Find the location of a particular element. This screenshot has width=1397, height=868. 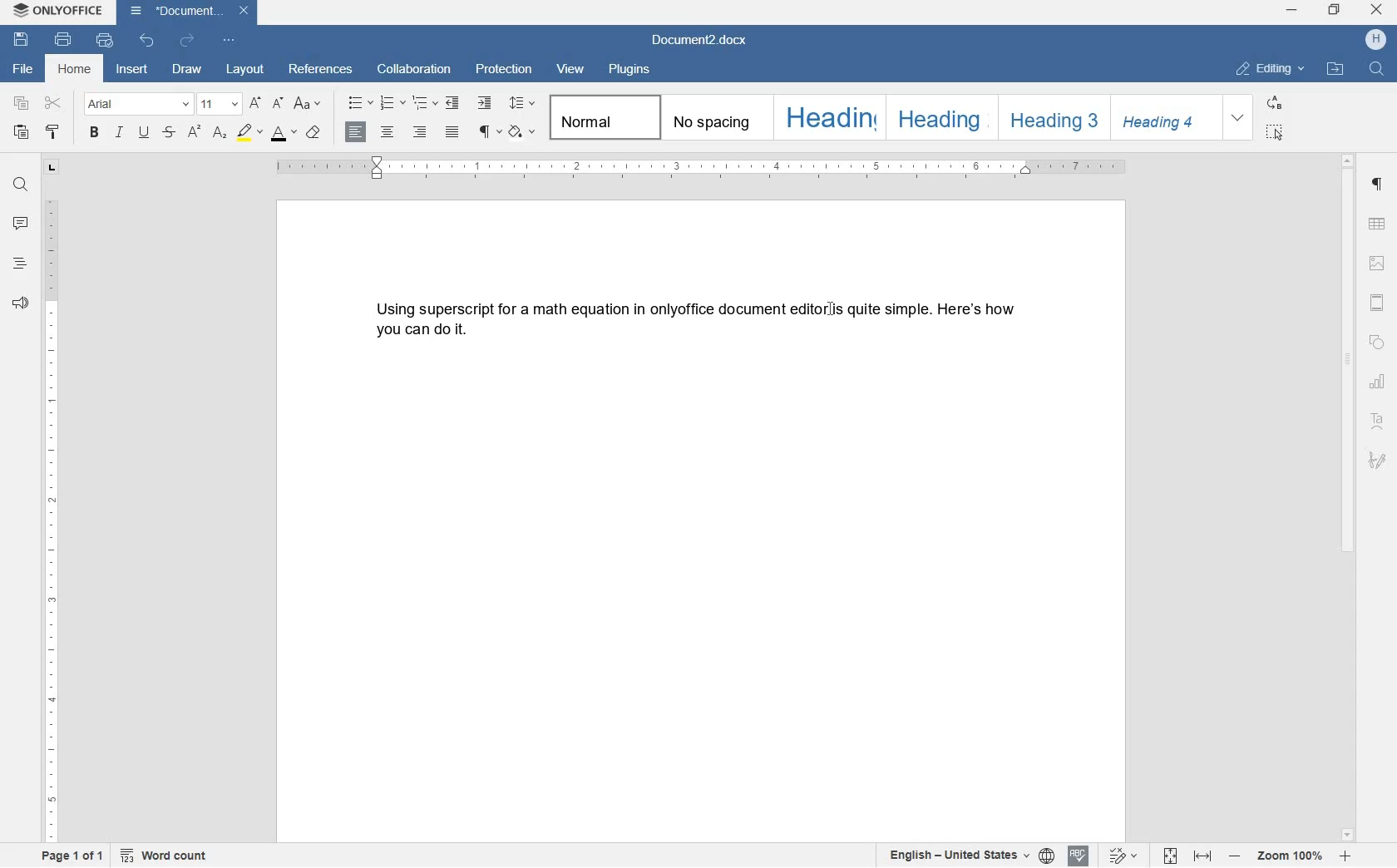

highlight color is located at coordinates (248, 131).